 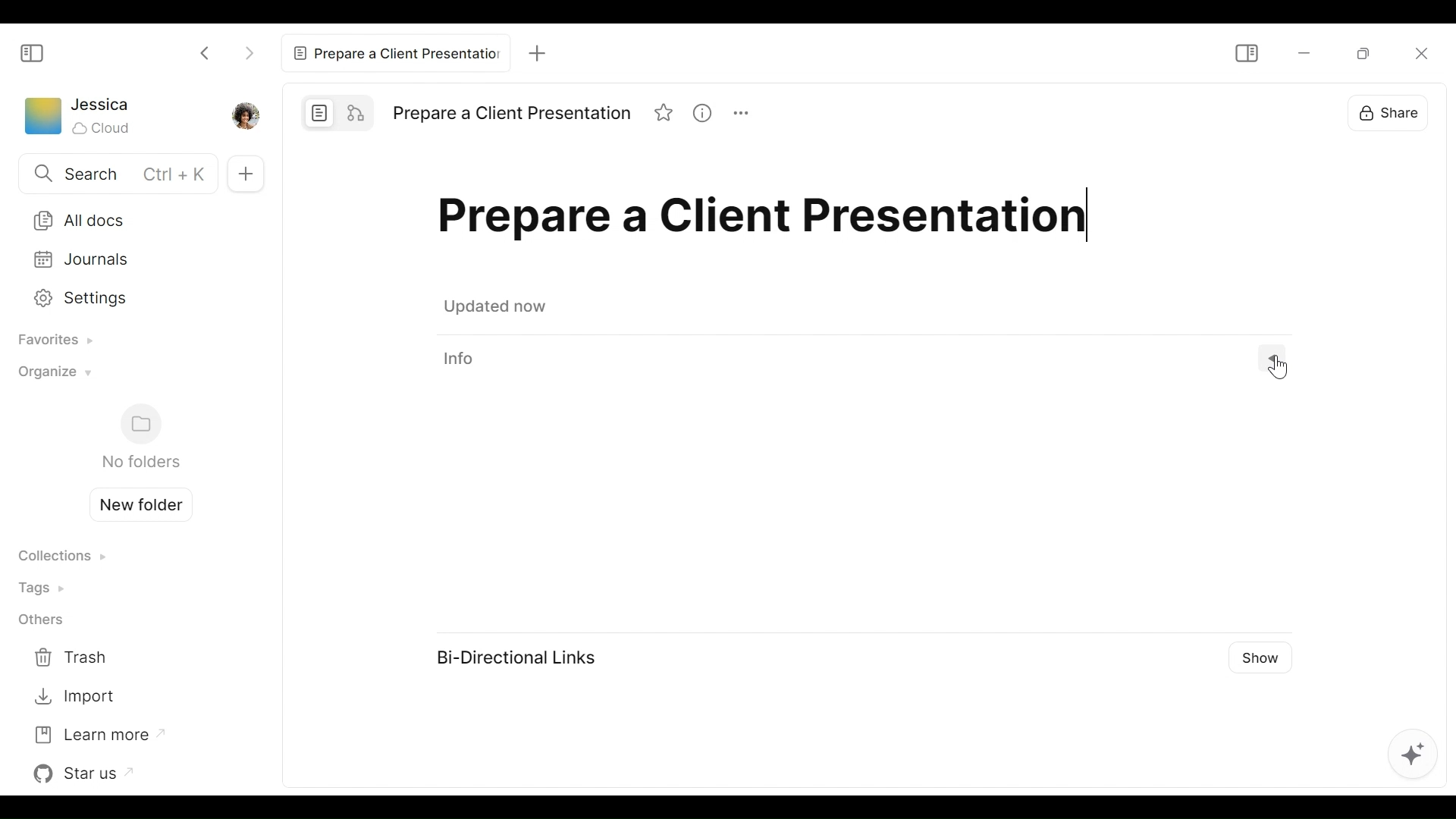 I want to click on More, so click(x=748, y=115).